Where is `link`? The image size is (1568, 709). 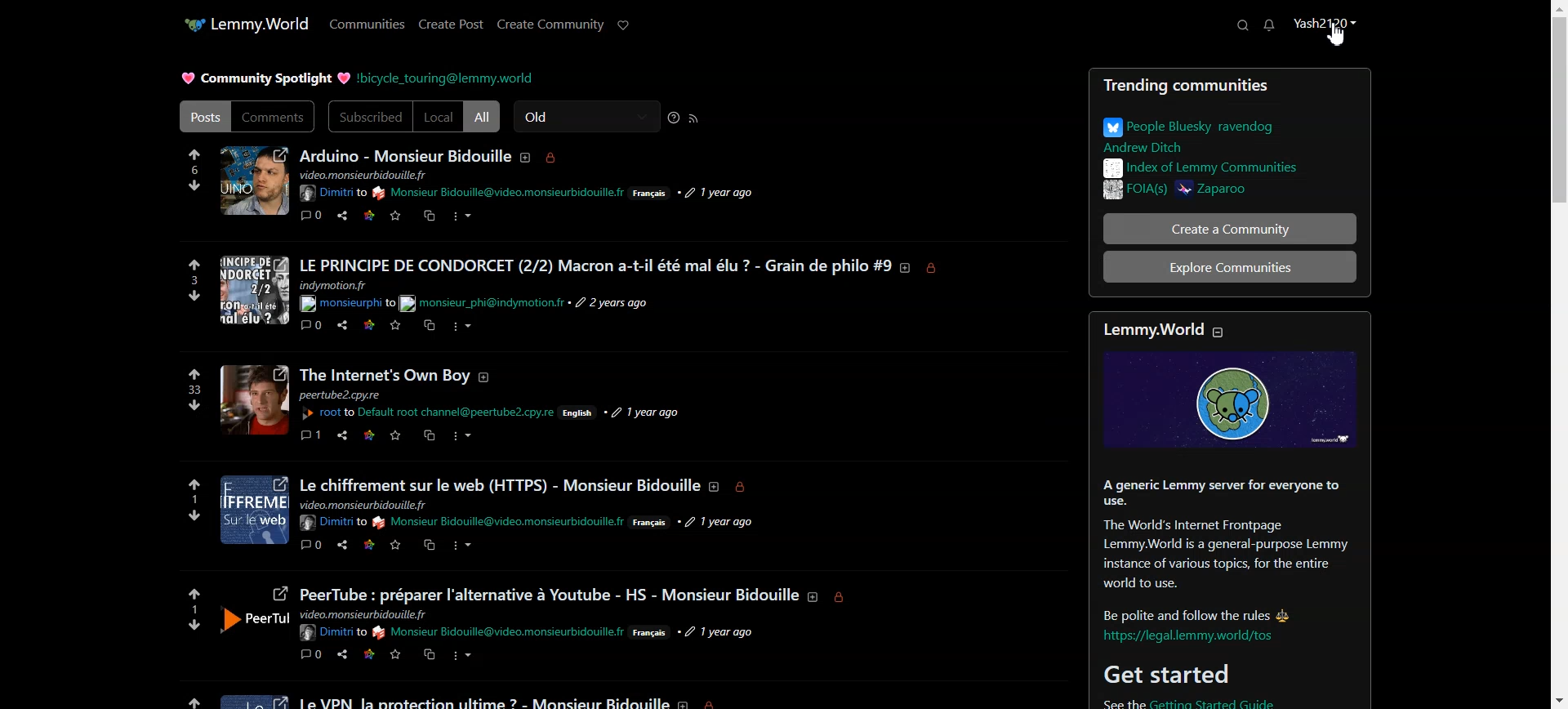
link is located at coordinates (372, 435).